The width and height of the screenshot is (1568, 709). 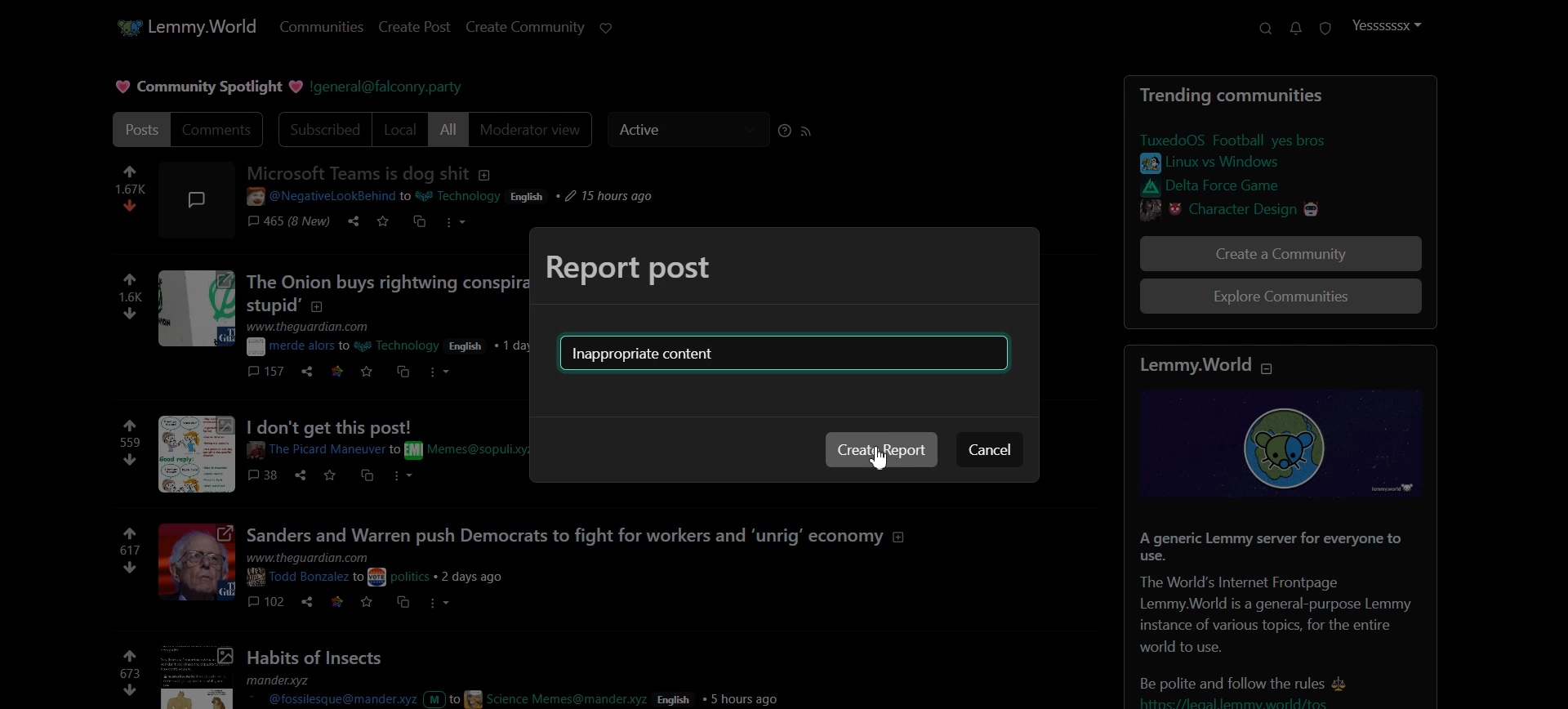 I want to click on Active, so click(x=687, y=130).